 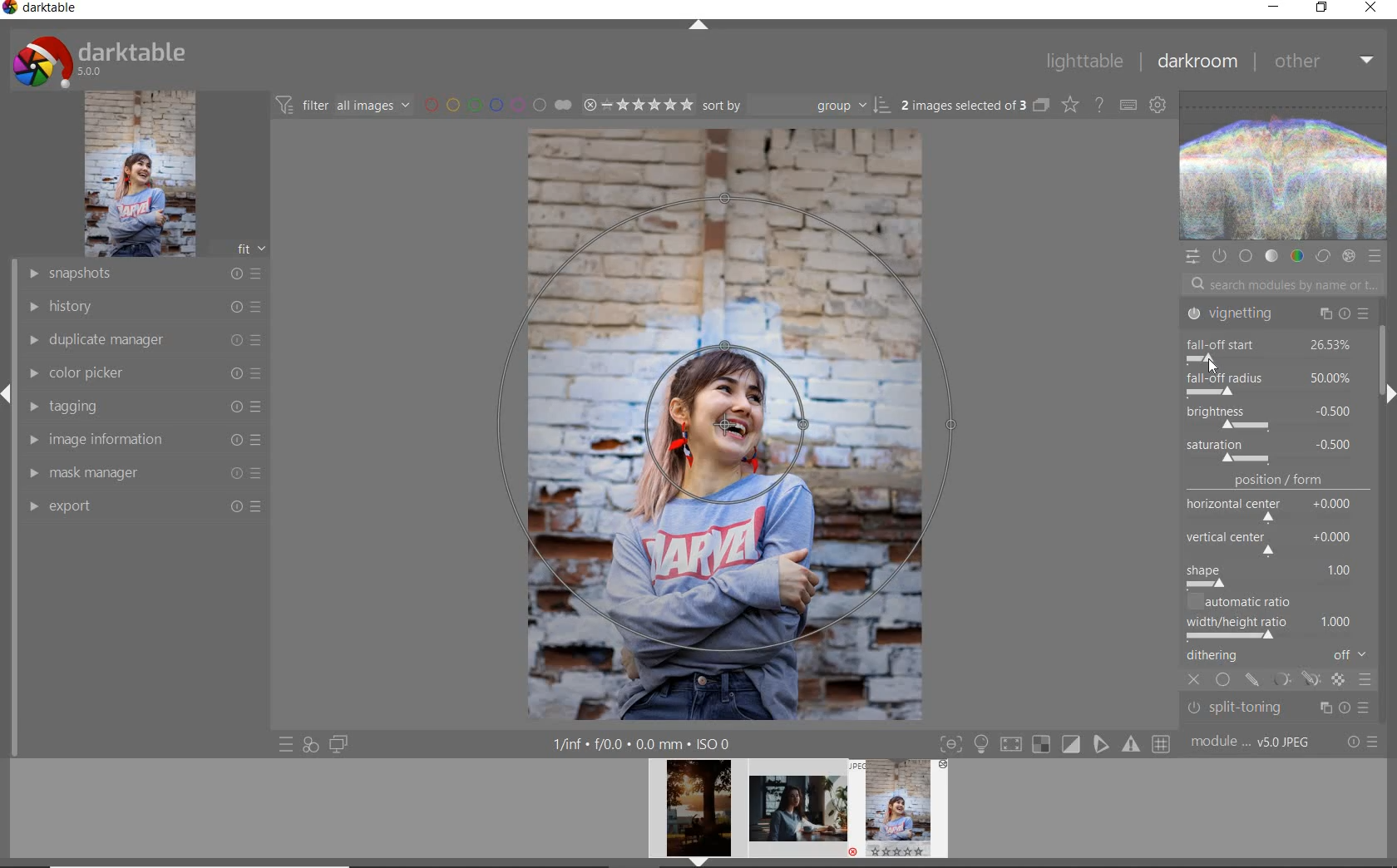 What do you see at coordinates (1279, 287) in the screenshot?
I see `search modules` at bounding box center [1279, 287].